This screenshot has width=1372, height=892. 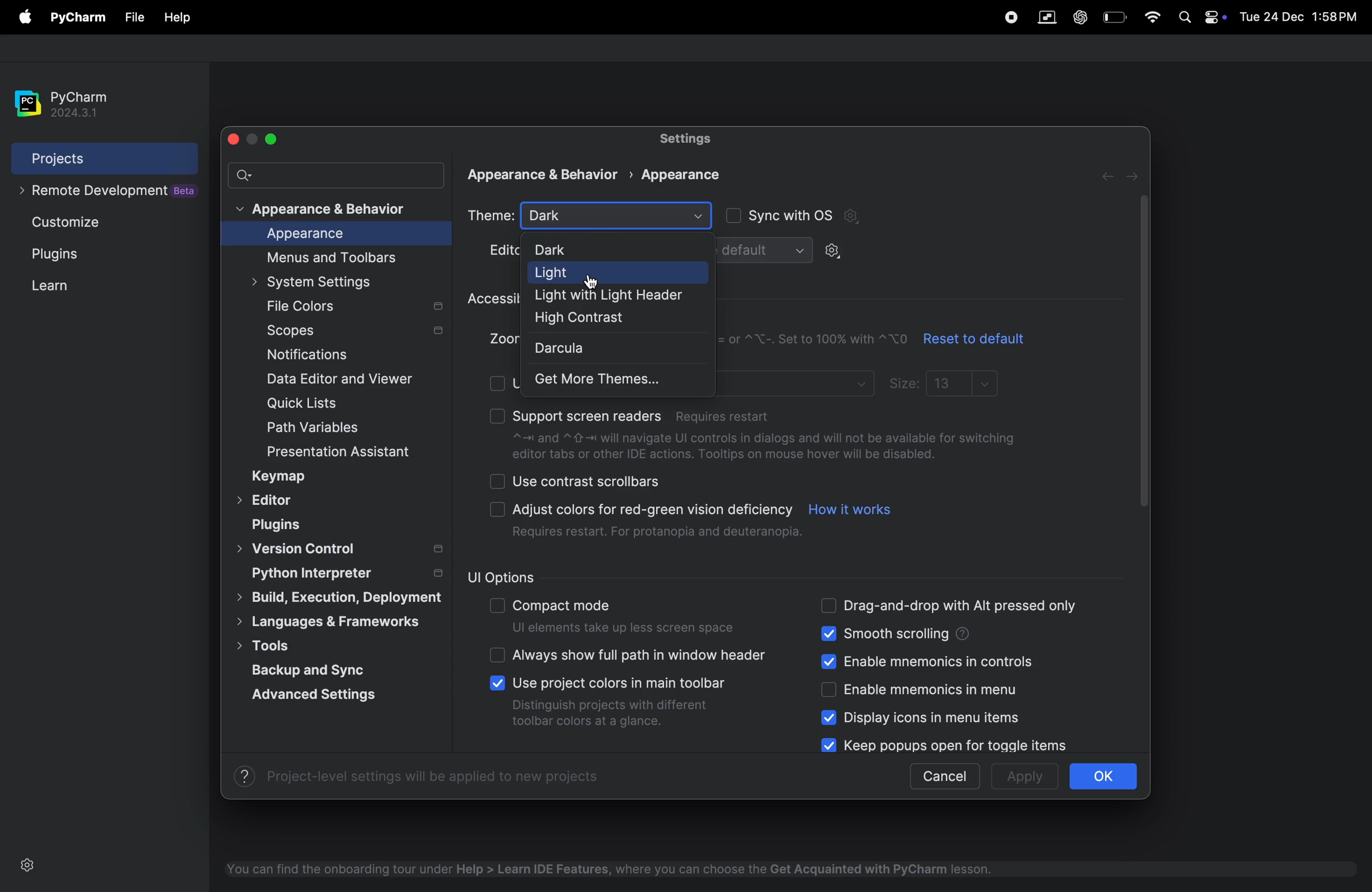 I want to click on support screen readers, so click(x=645, y=413).